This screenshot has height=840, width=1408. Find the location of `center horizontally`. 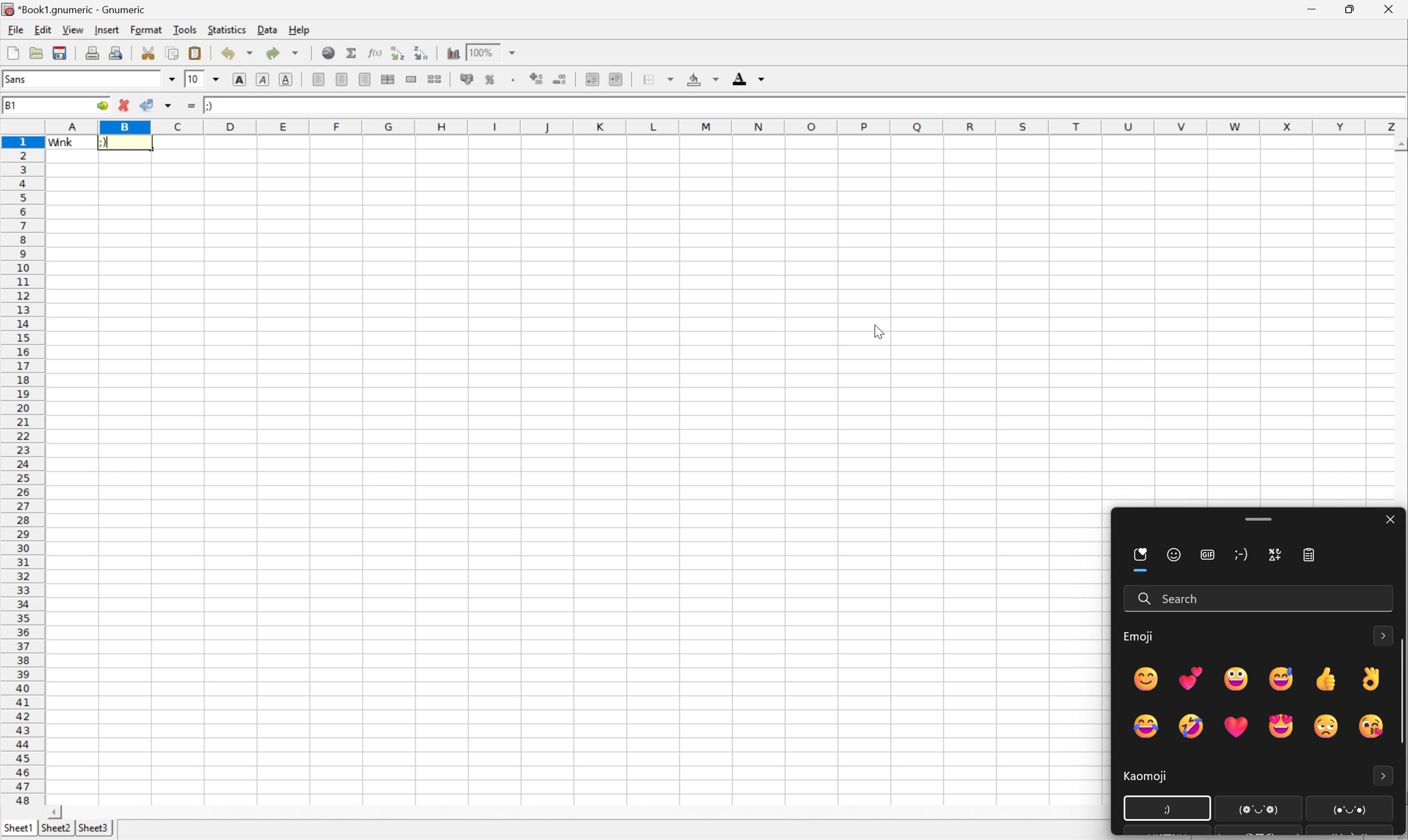

center horizontally is located at coordinates (343, 79).